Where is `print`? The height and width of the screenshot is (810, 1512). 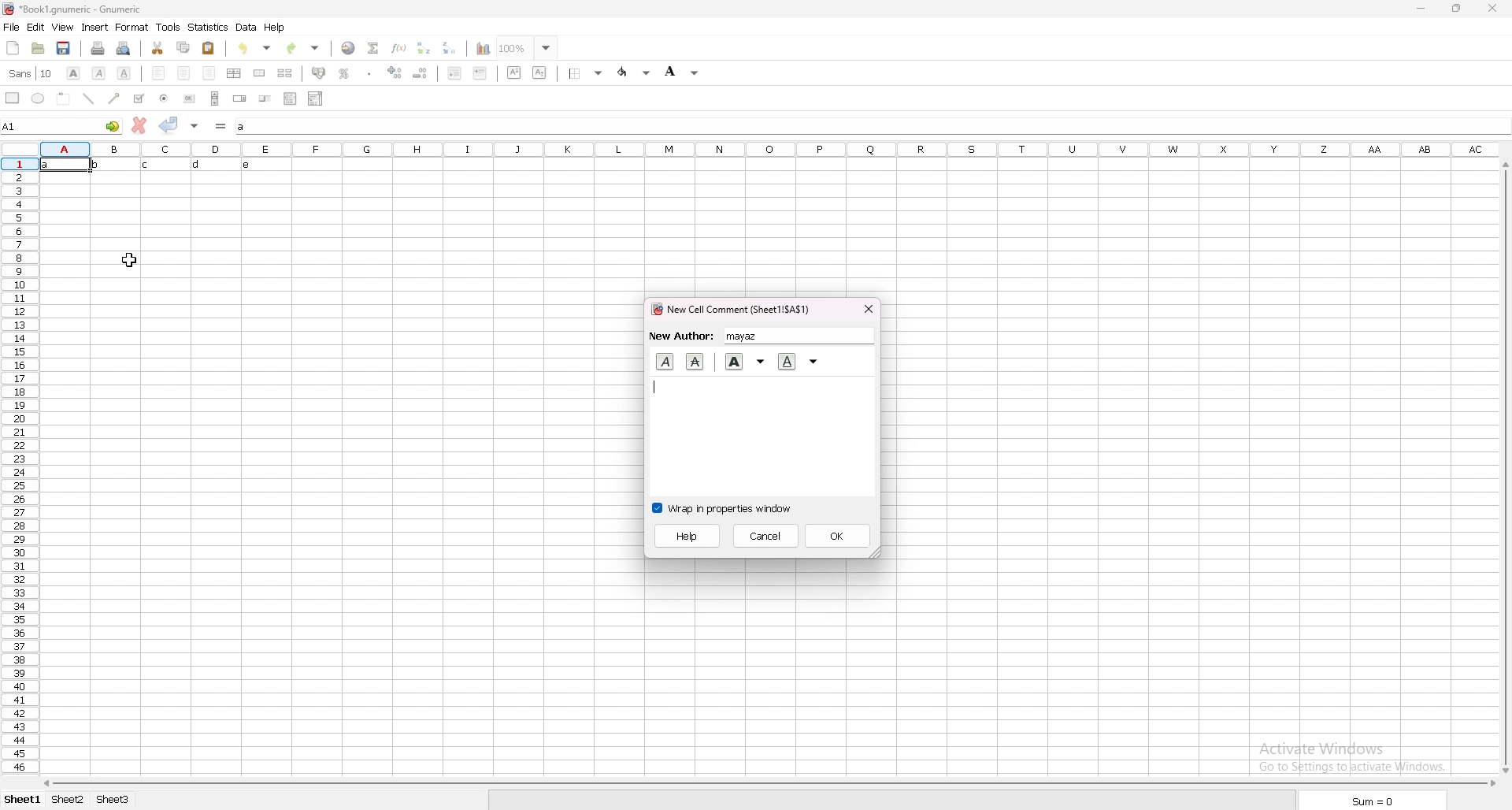 print is located at coordinates (98, 48).